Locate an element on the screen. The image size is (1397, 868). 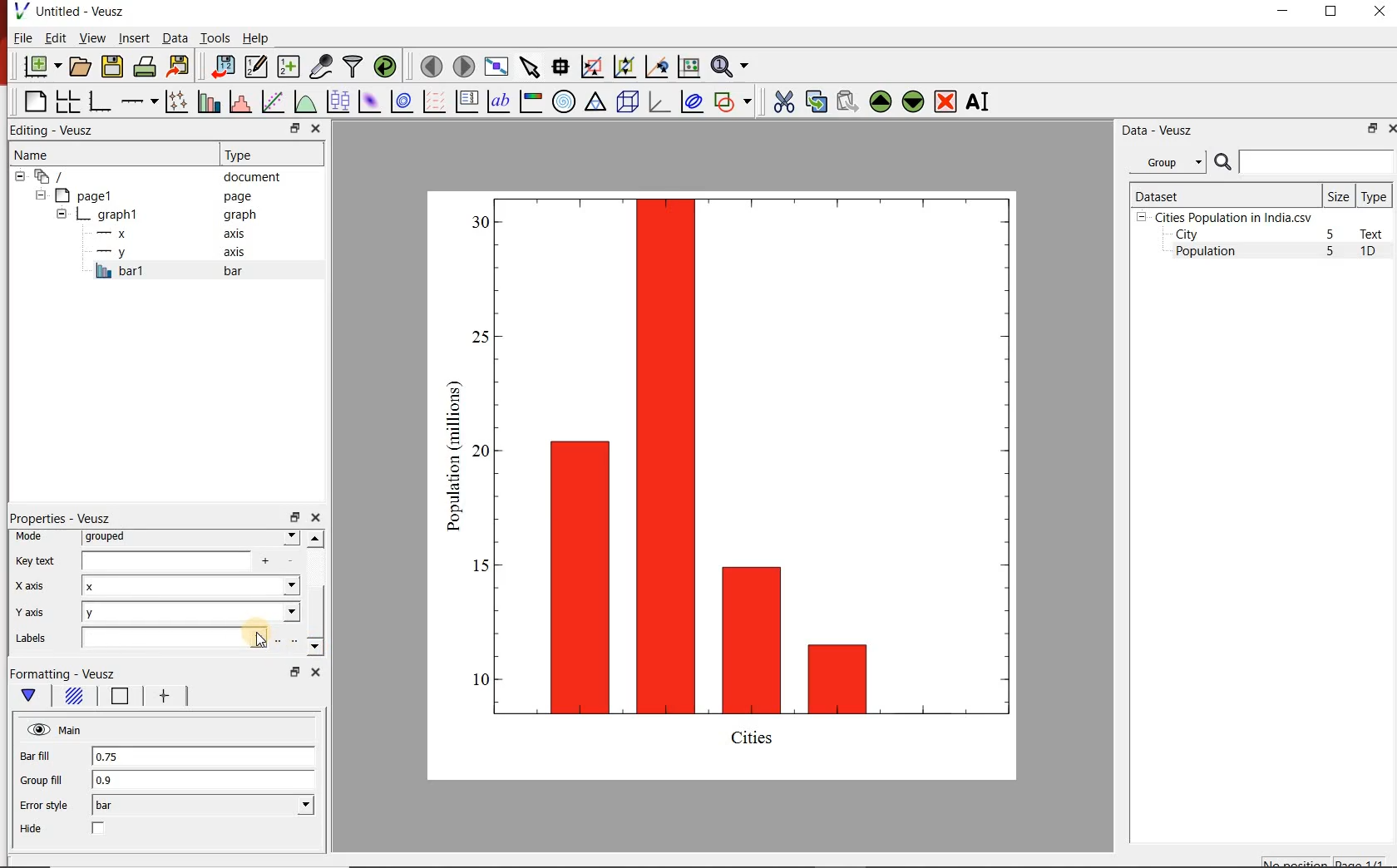
Line is located at coordinates (116, 699).